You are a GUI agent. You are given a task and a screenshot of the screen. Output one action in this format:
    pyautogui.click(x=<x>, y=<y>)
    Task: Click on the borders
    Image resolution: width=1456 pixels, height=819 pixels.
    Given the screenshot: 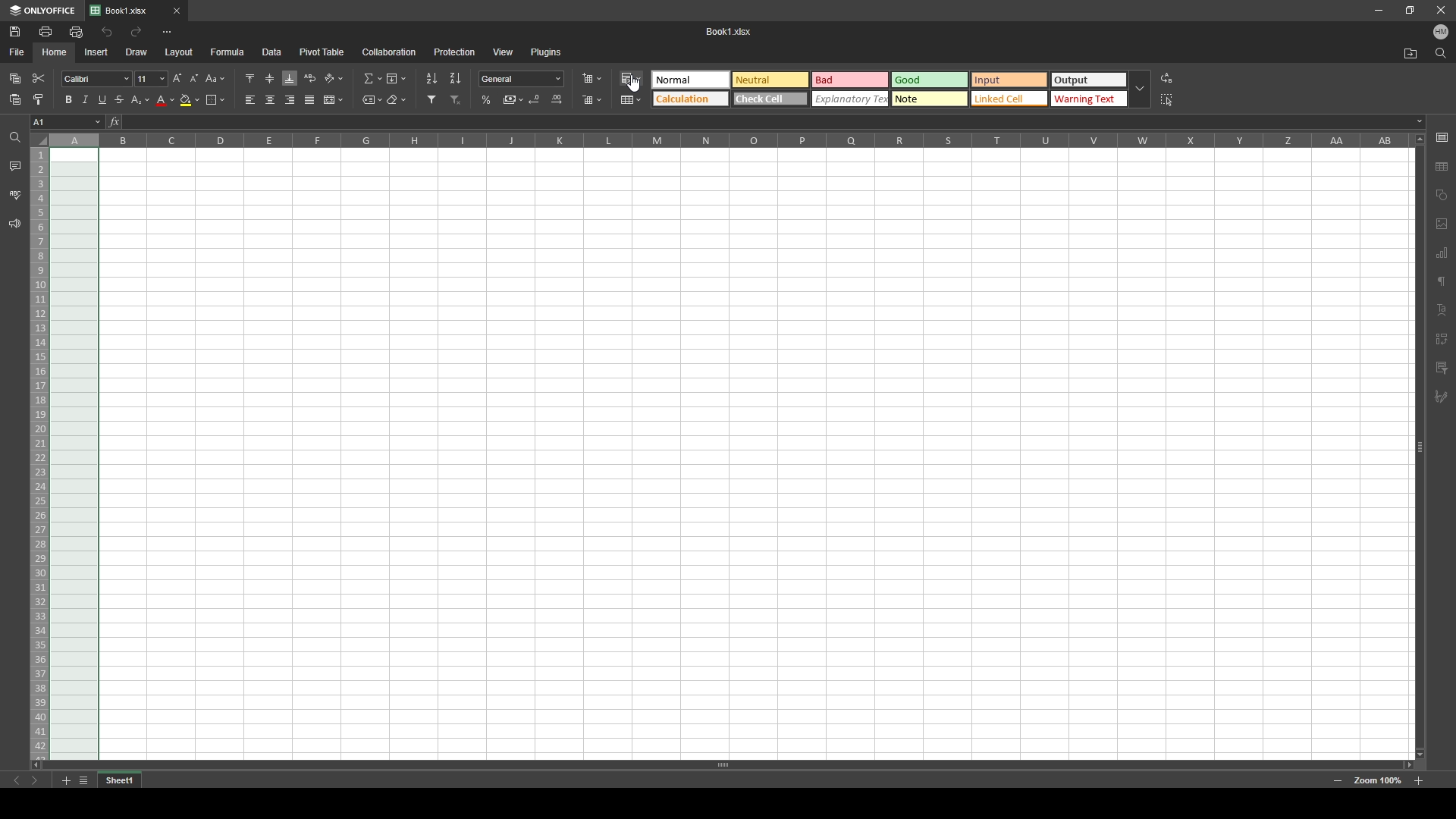 What is the action you would take?
    pyautogui.click(x=215, y=99)
    